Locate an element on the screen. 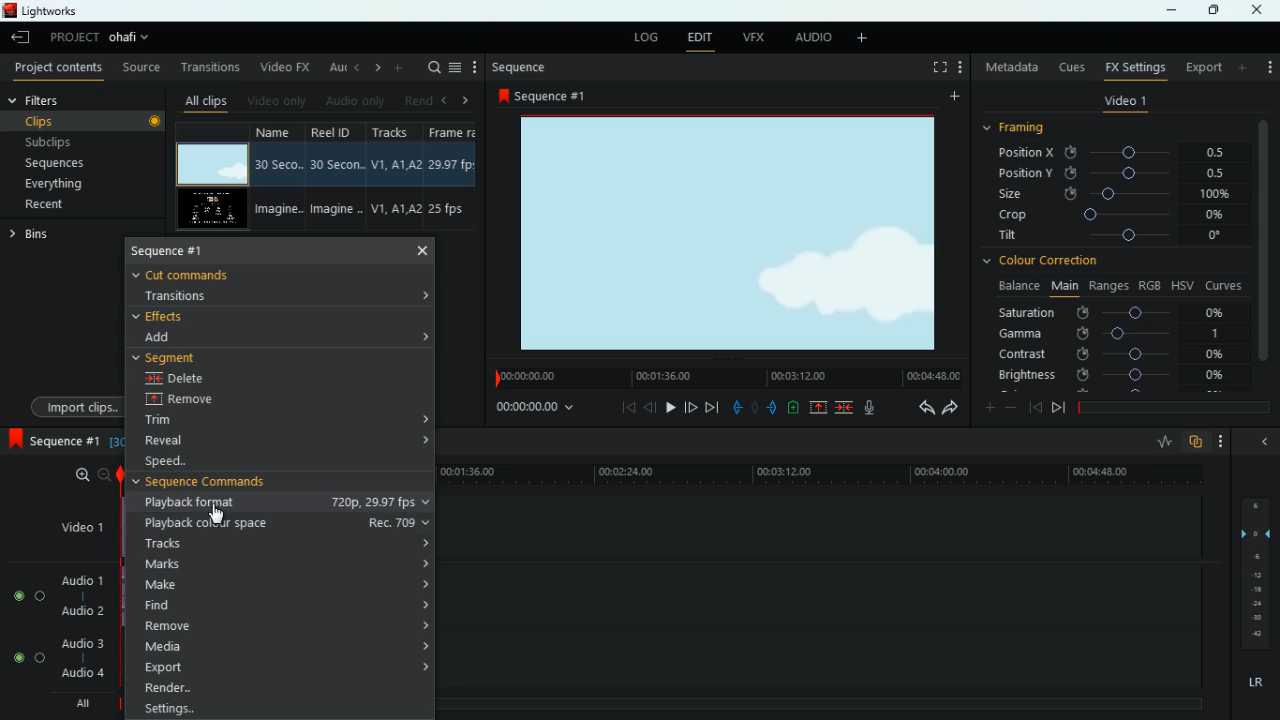 This screenshot has height=720, width=1280. audio 1 is located at coordinates (81, 579).